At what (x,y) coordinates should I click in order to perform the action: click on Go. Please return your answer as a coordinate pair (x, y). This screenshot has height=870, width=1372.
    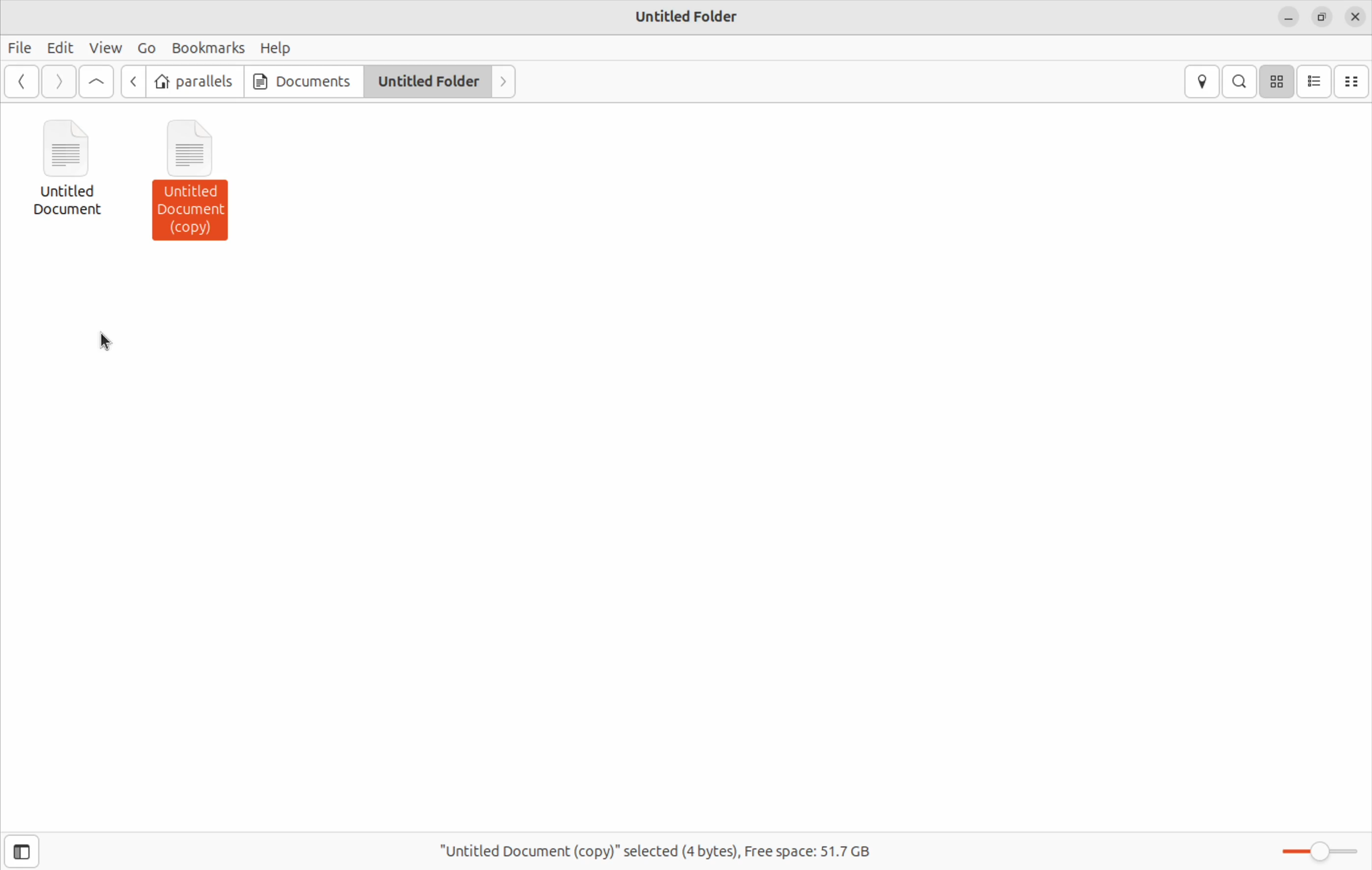
    Looking at the image, I should click on (147, 48).